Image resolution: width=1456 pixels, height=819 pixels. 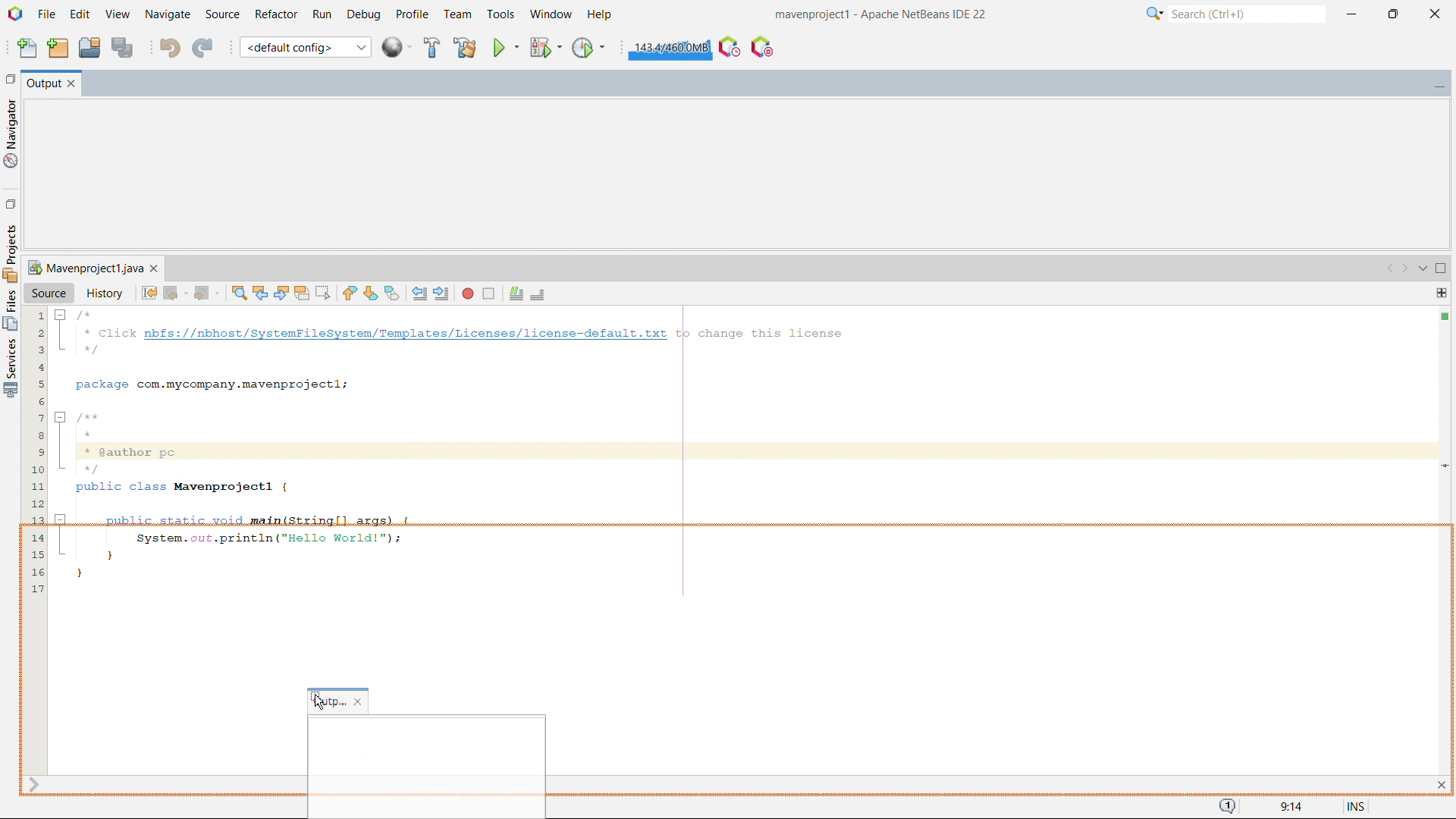 I want to click on source, so click(x=49, y=292).